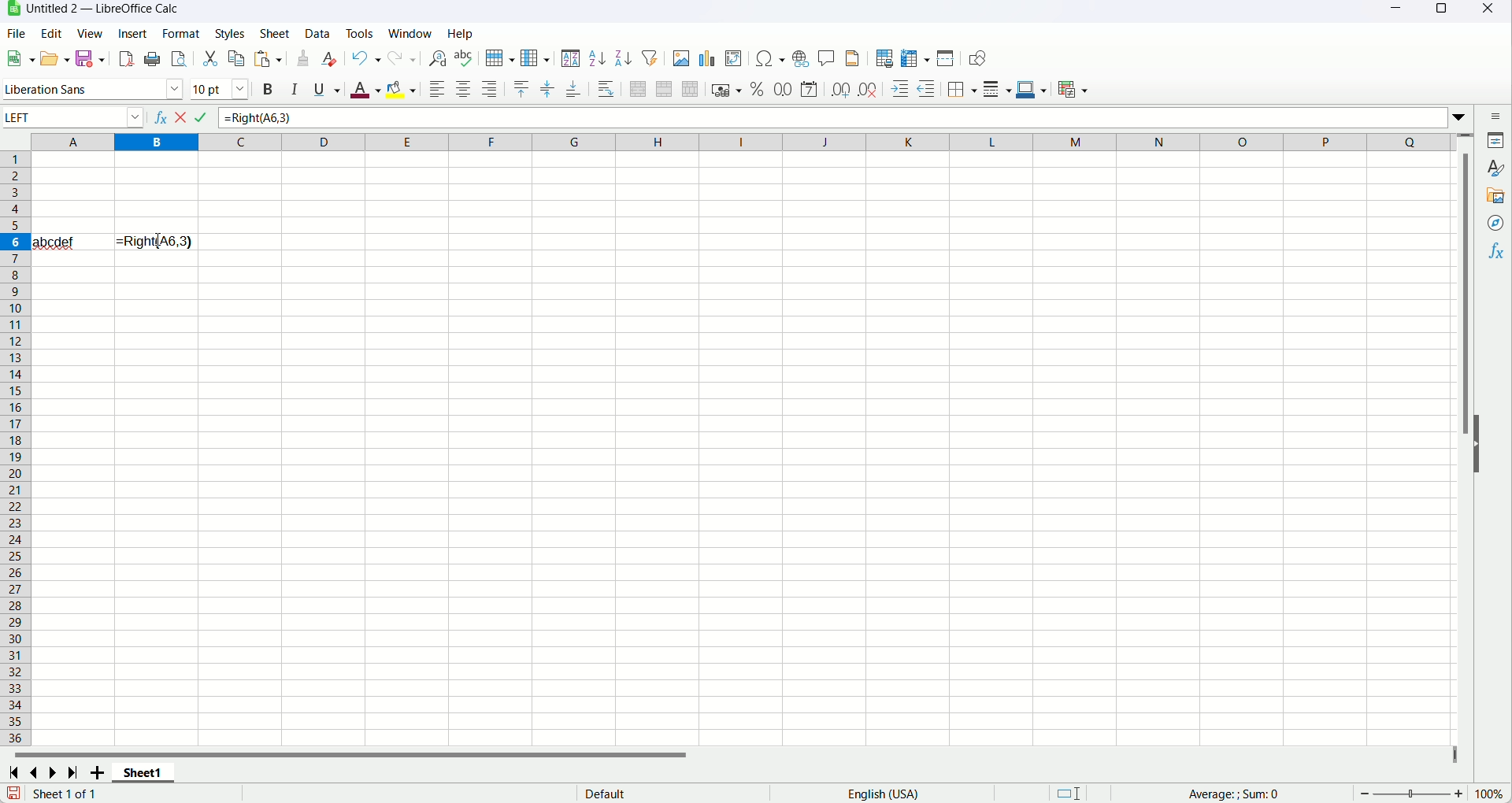 The height and width of the screenshot is (803, 1512). I want to click on insert hyperlink, so click(800, 58).